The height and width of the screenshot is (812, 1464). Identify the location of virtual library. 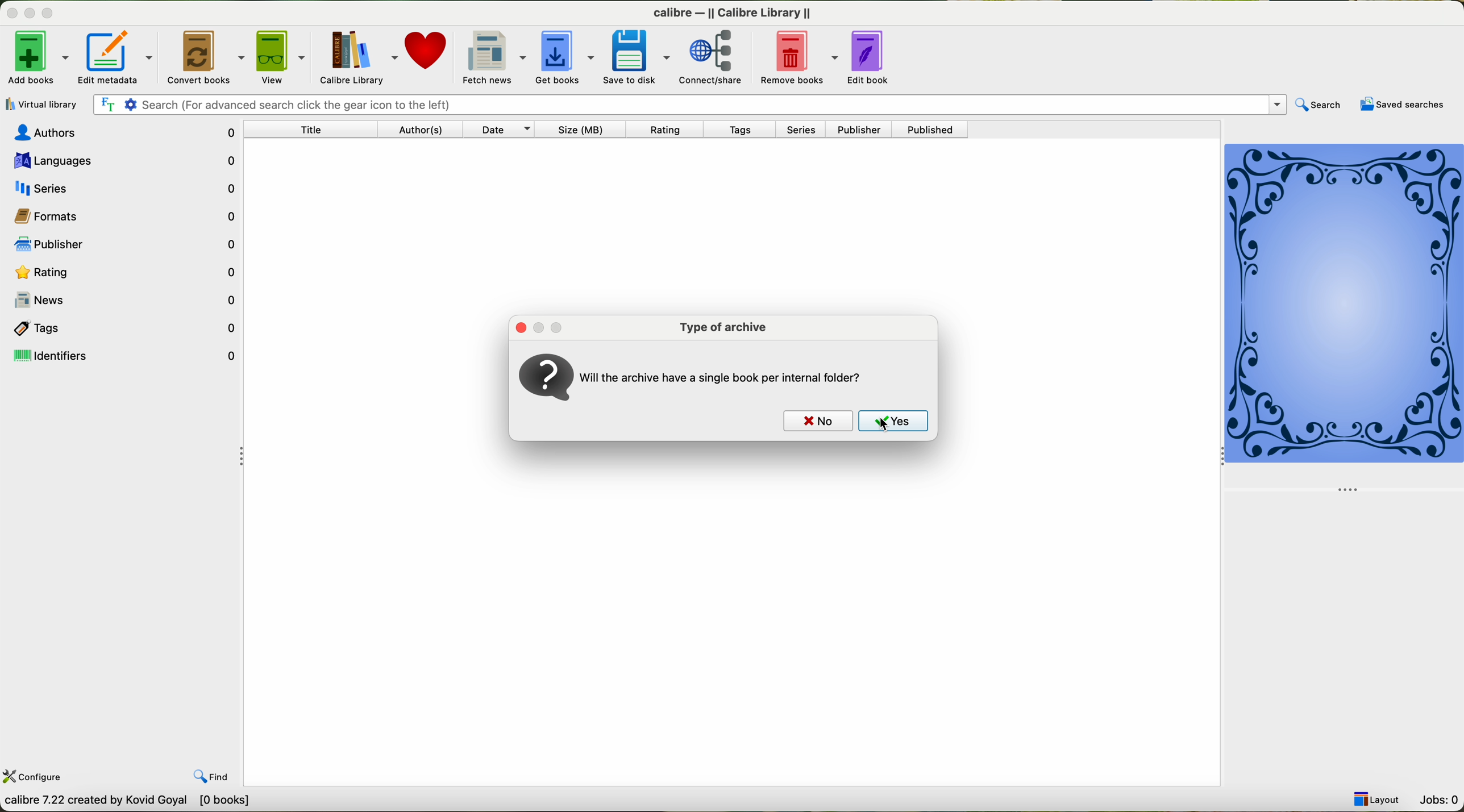
(41, 104).